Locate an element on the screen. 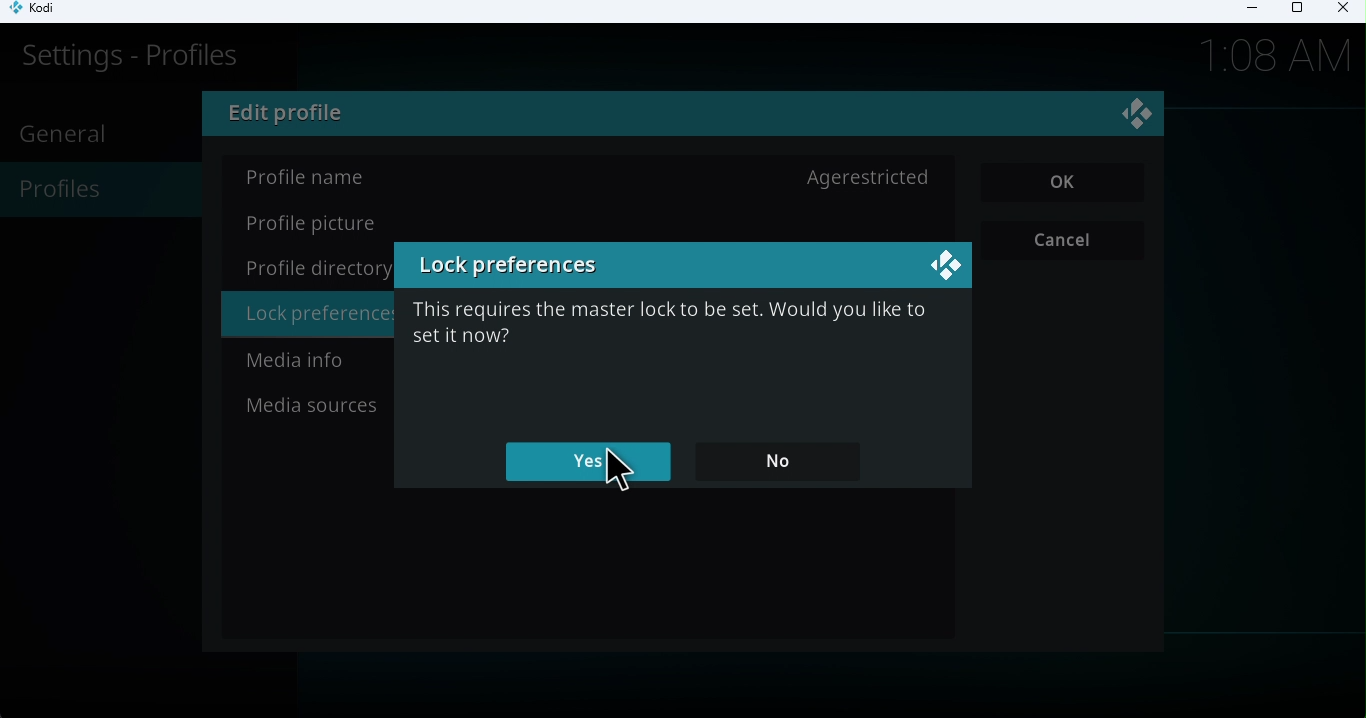 This screenshot has height=718, width=1366. Maximize is located at coordinates (1296, 12).